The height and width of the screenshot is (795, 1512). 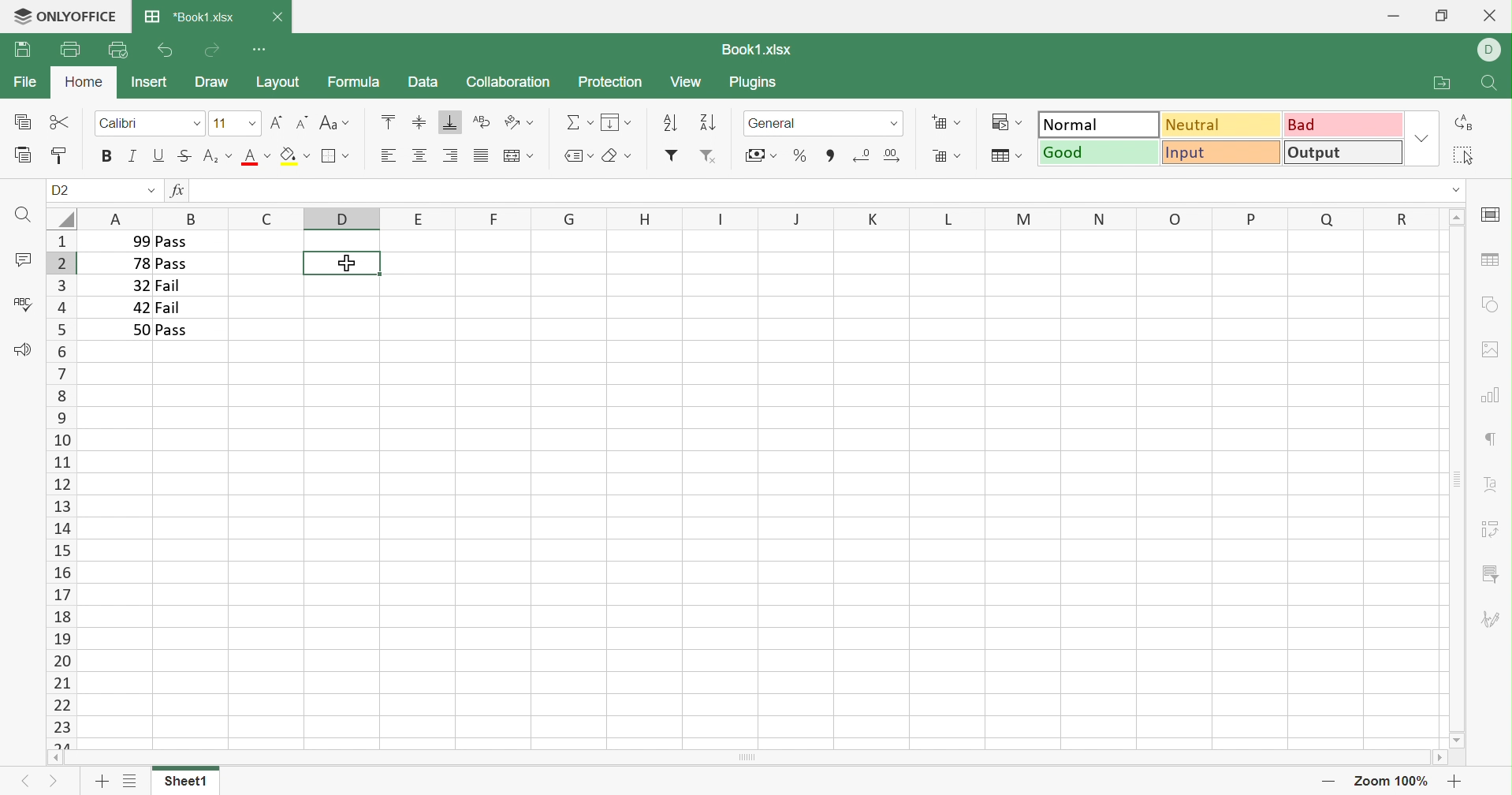 What do you see at coordinates (173, 330) in the screenshot?
I see `Pass` at bounding box center [173, 330].